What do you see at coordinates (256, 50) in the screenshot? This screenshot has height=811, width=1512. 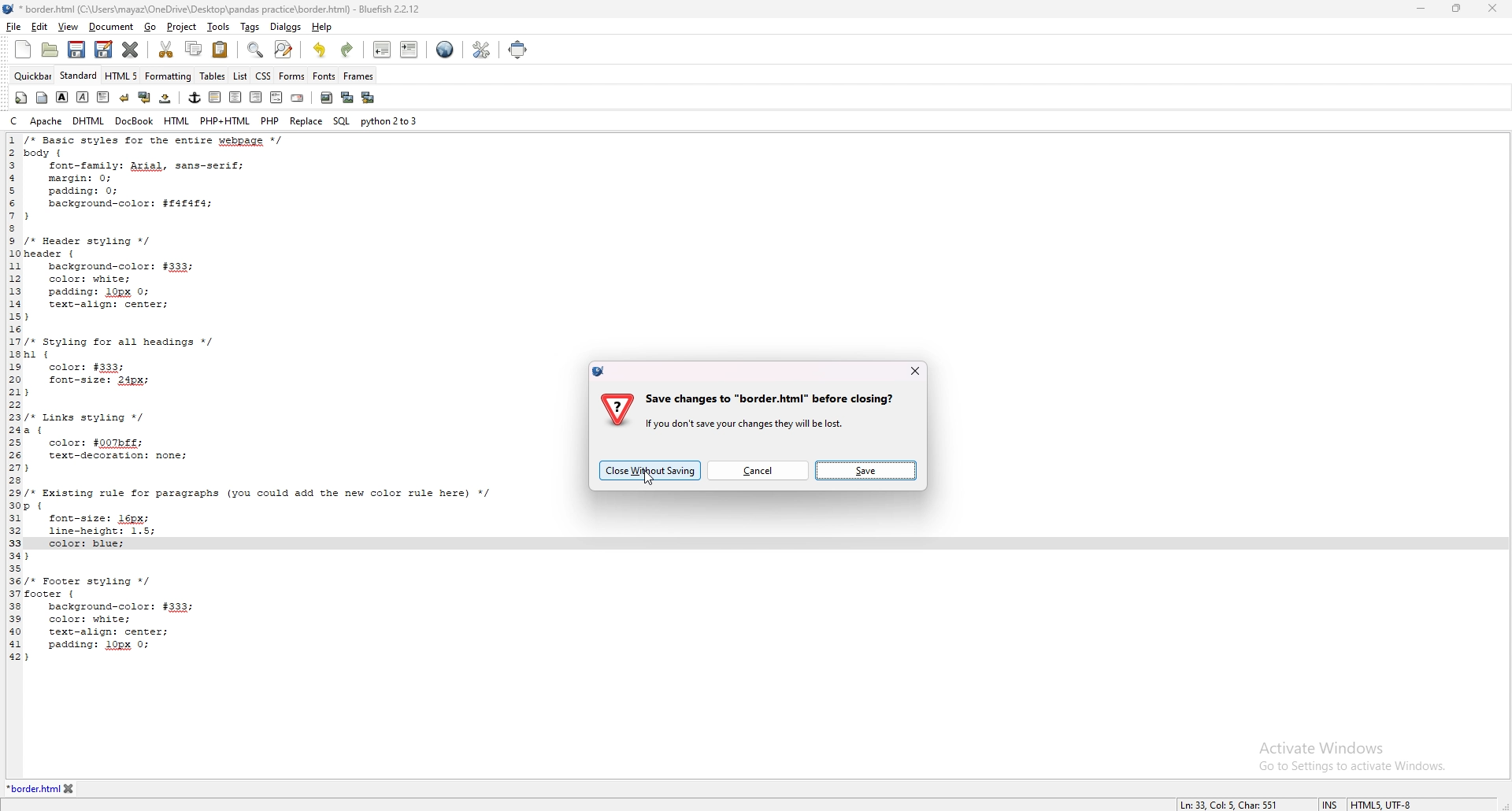 I see `find bar` at bounding box center [256, 50].